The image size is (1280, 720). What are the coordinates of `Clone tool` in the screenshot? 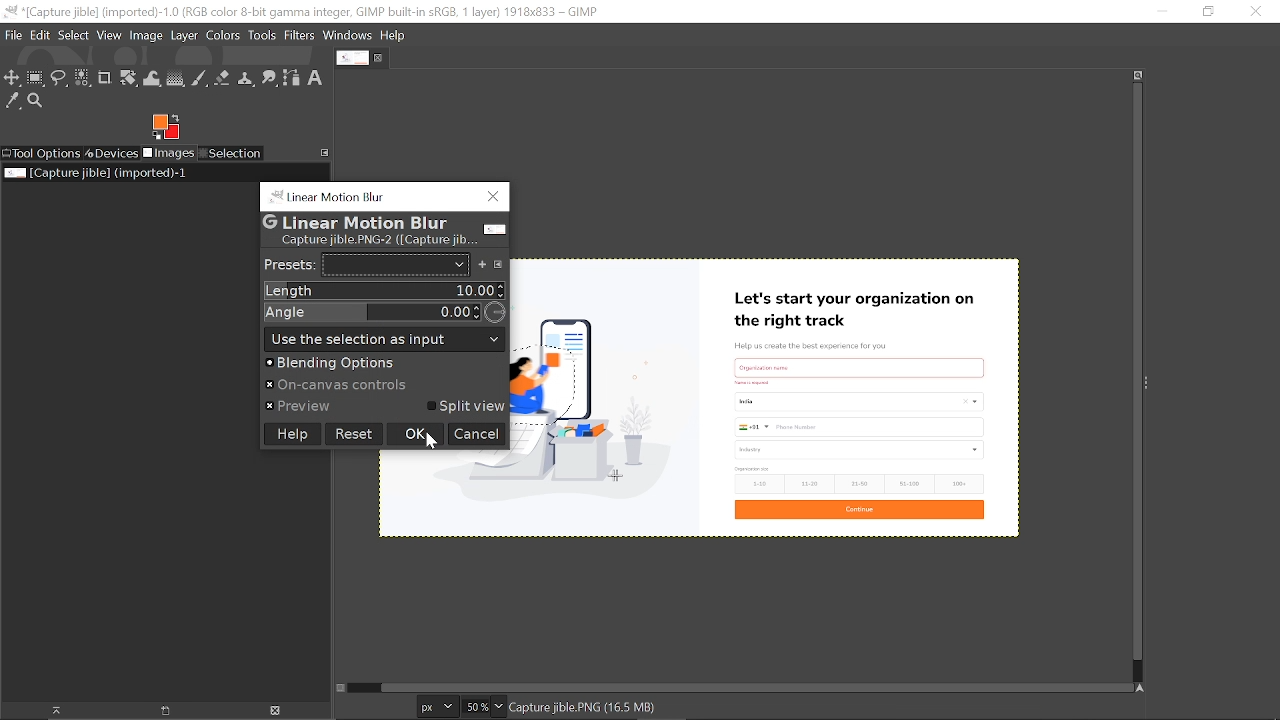 It's located at (245, 80).